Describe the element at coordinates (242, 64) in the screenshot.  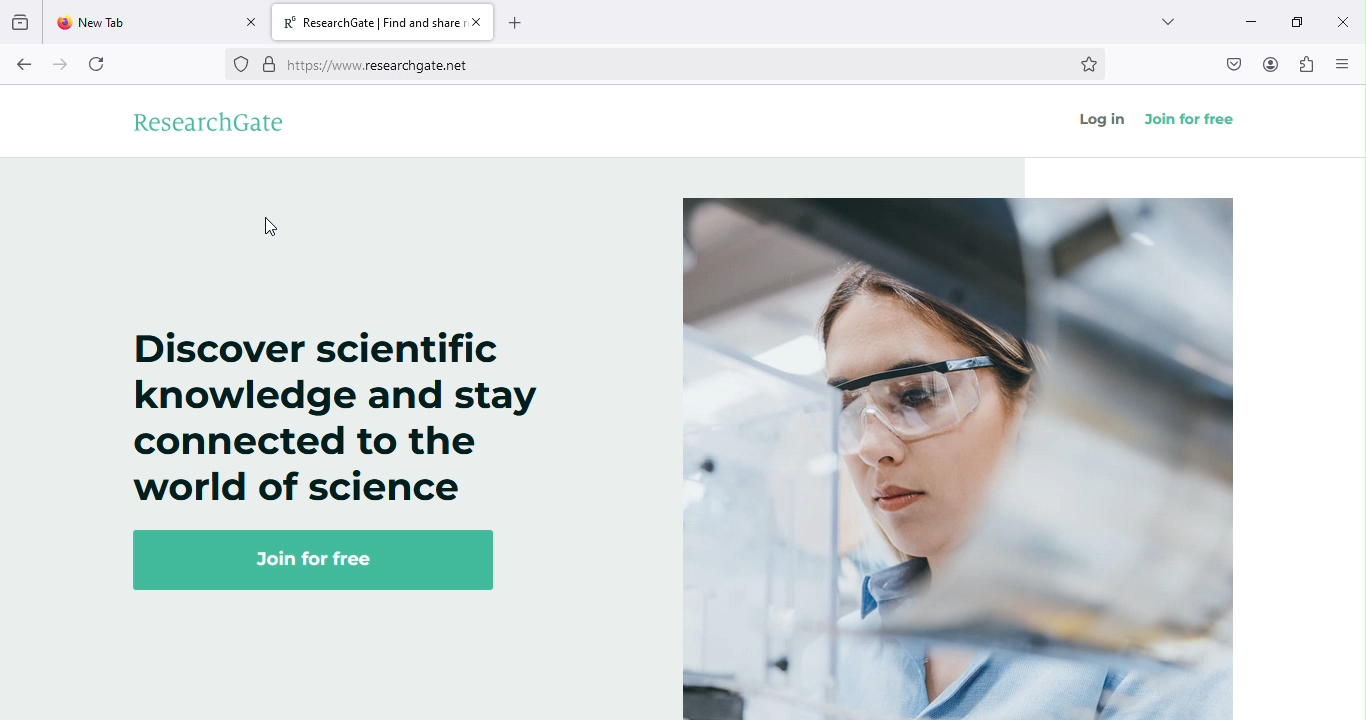
I see `no trackers` at that location.